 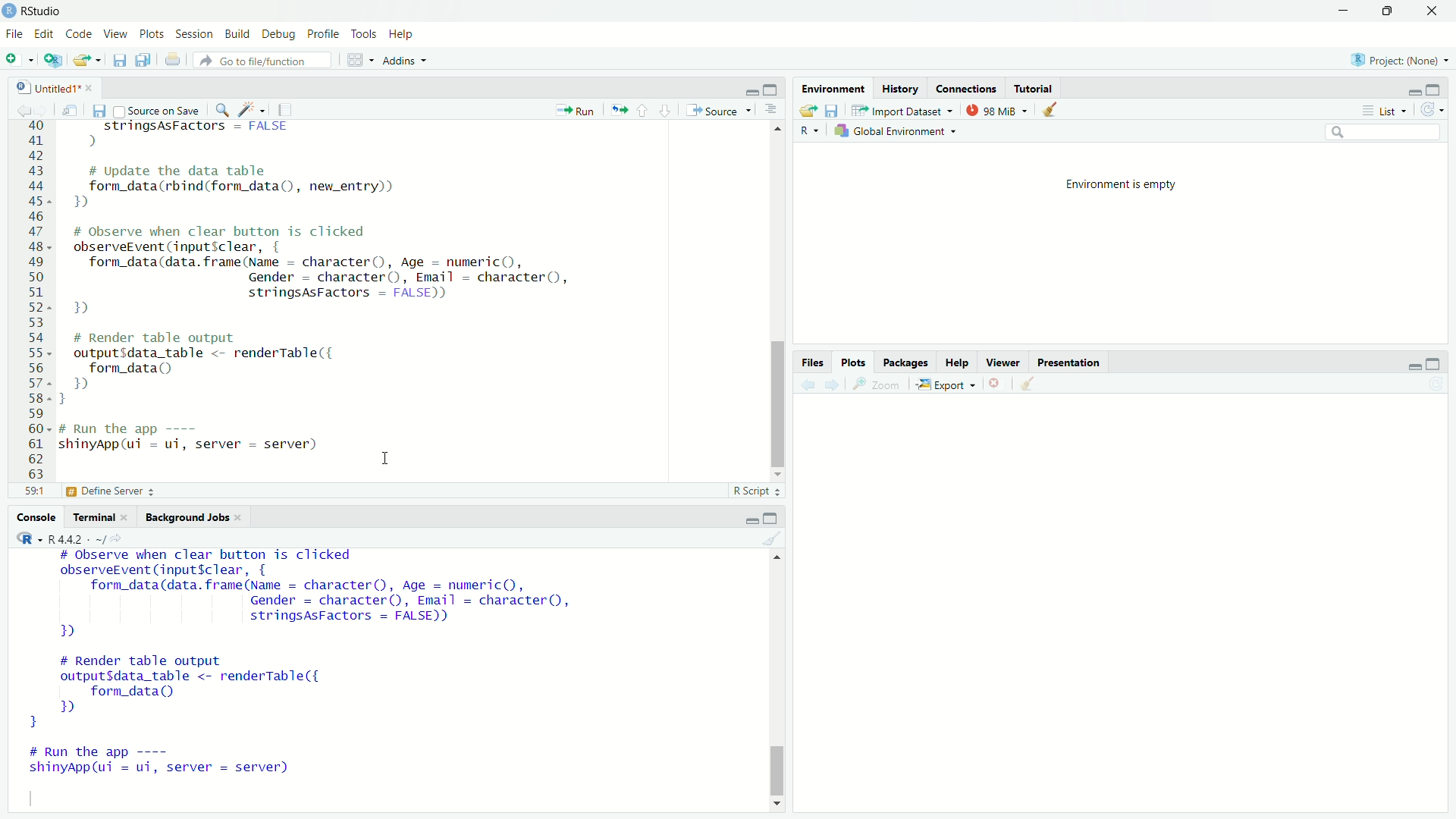 I want to click on close, so click(x=129, y=517).